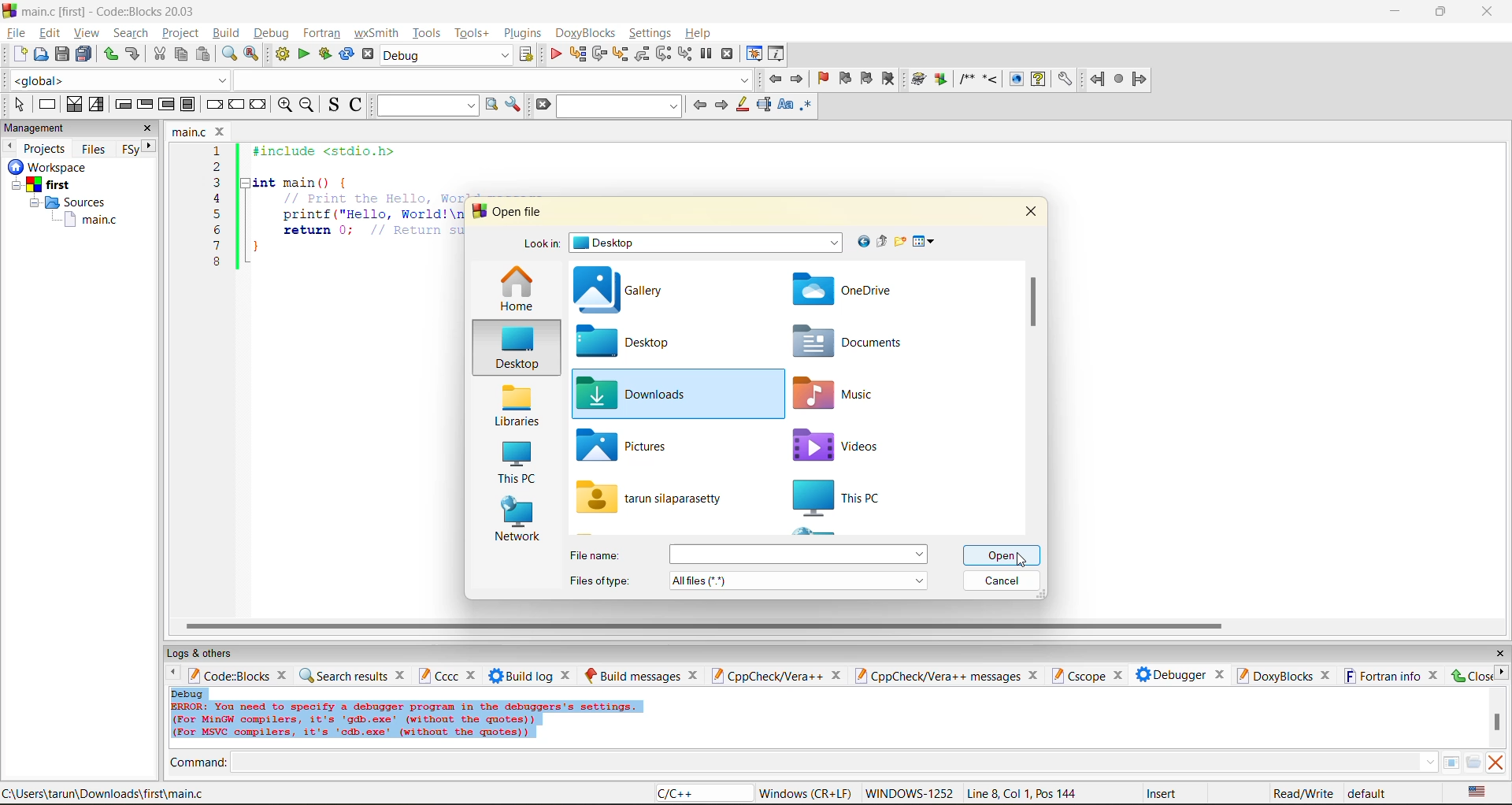 The image size is (1512, 805). I want to click on next line, so click(598, 54).